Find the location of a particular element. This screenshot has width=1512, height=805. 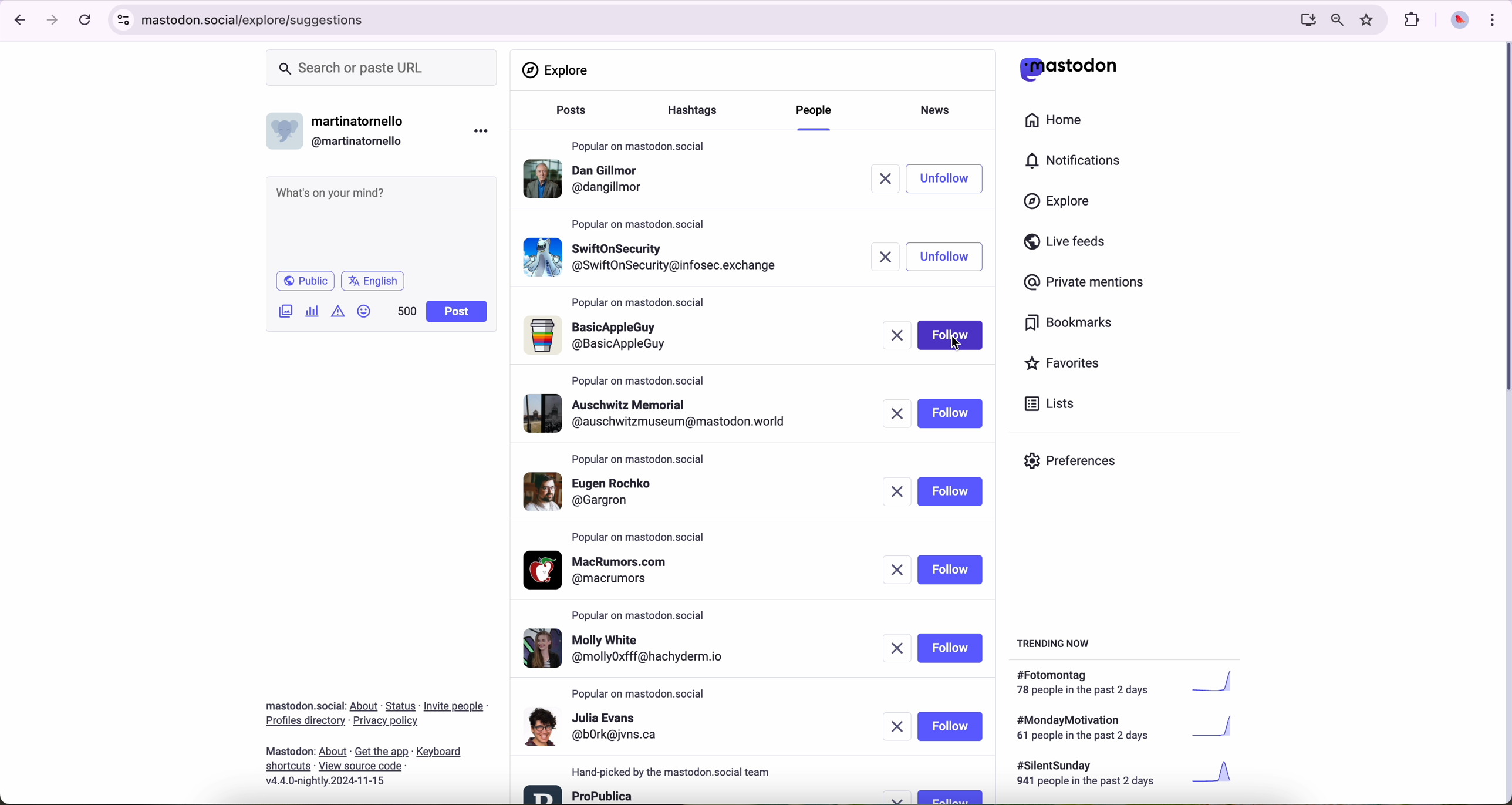

hasgtags is located at coordinates (699, 112).